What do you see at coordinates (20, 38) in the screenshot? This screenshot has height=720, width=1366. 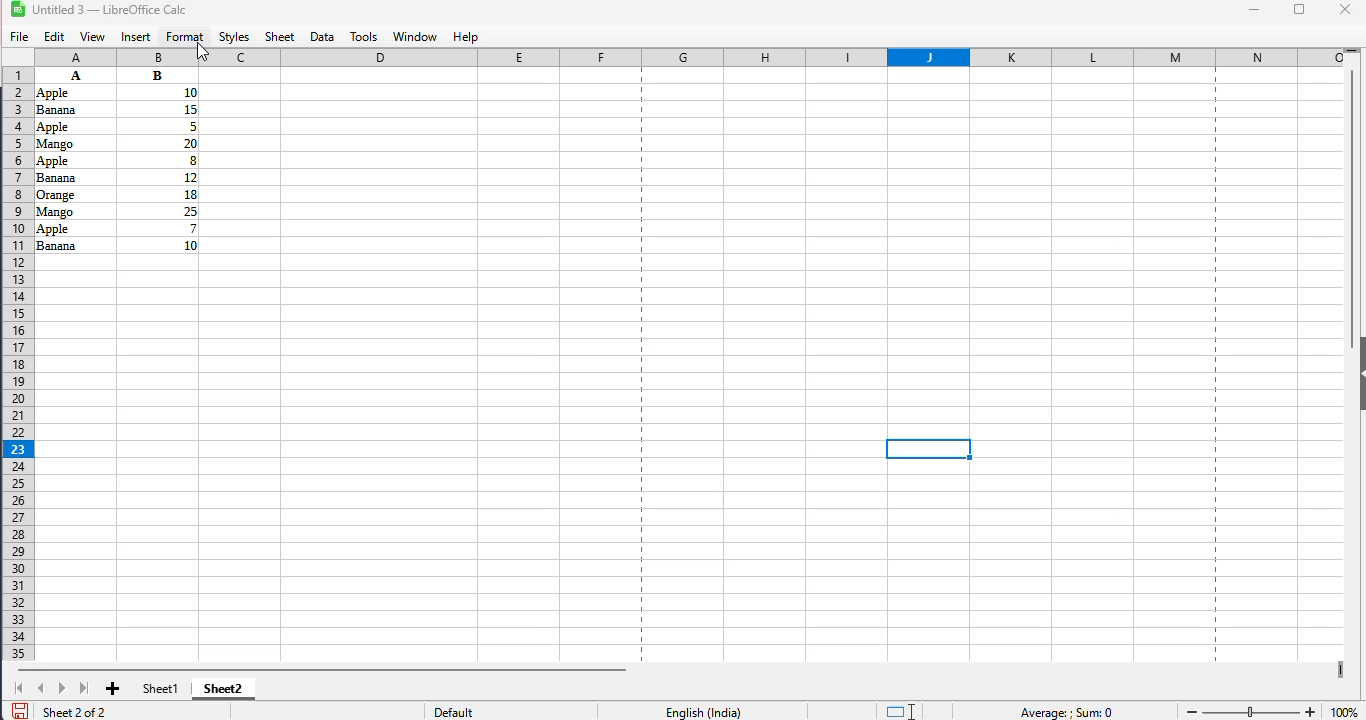 I see `file` at bounding box center [20, 38].